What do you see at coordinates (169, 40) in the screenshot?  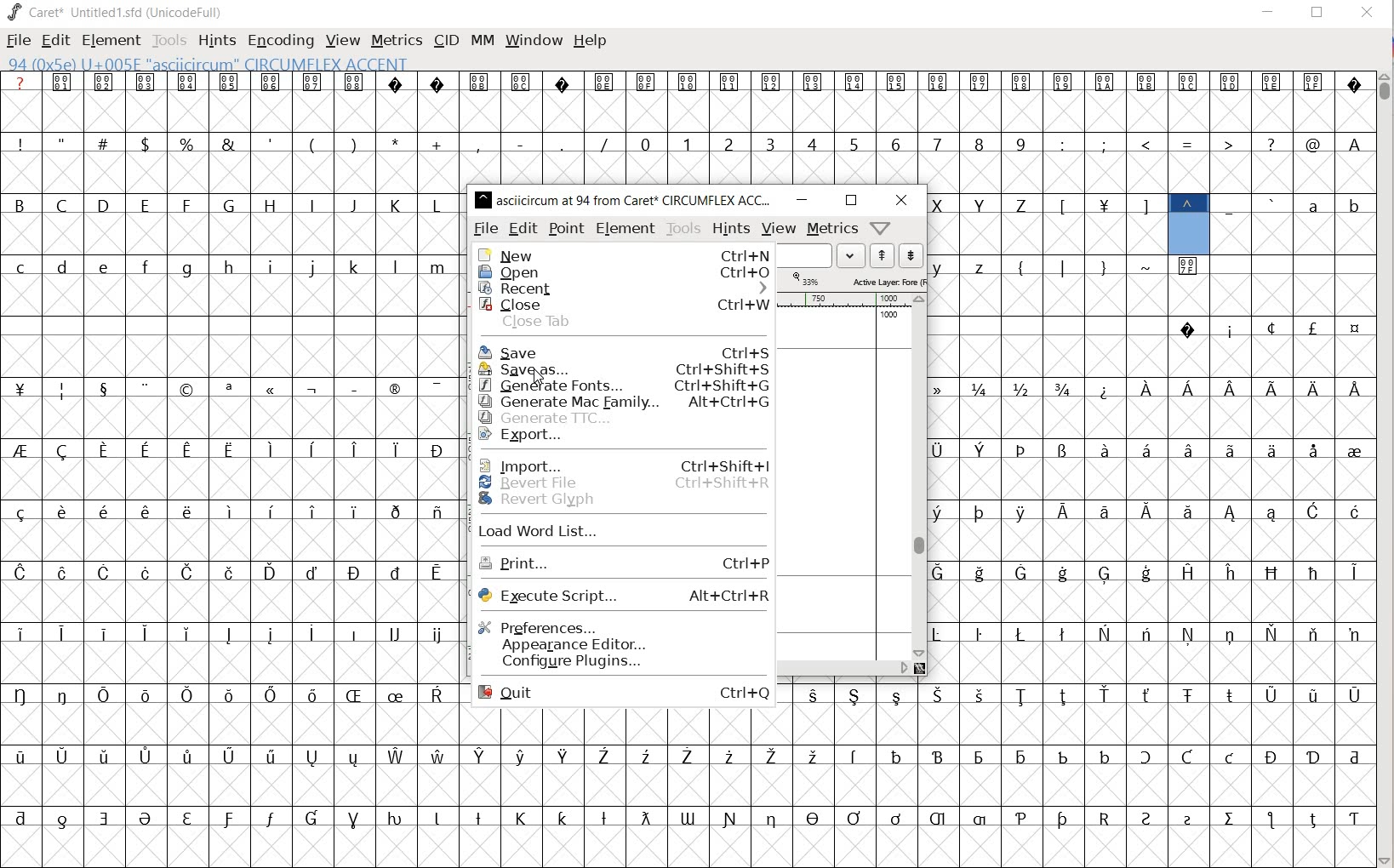 I see `TOOLS` at bounding box center [169, 40].